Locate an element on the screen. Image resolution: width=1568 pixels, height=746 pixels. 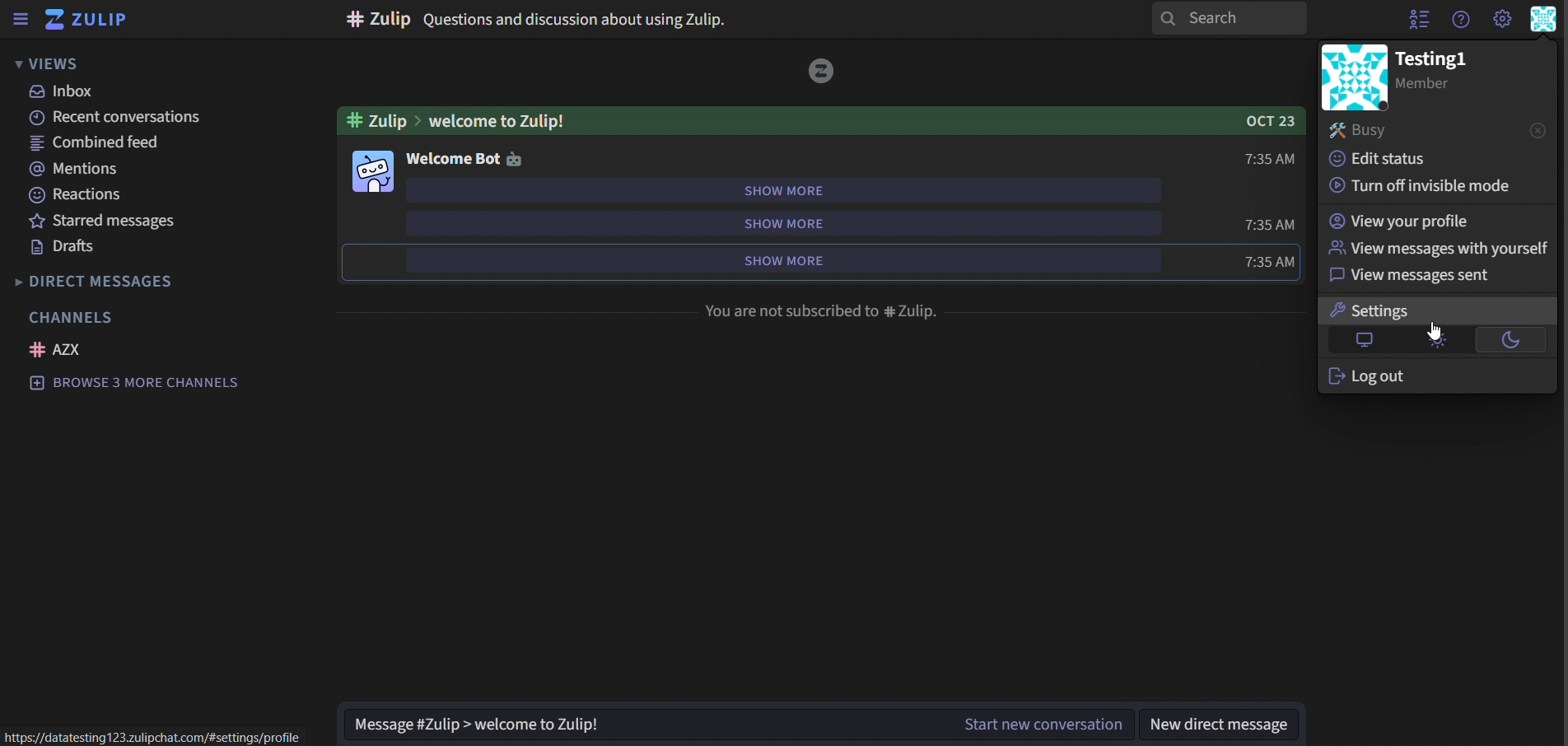
log out is located at coordinates (1370, 379).